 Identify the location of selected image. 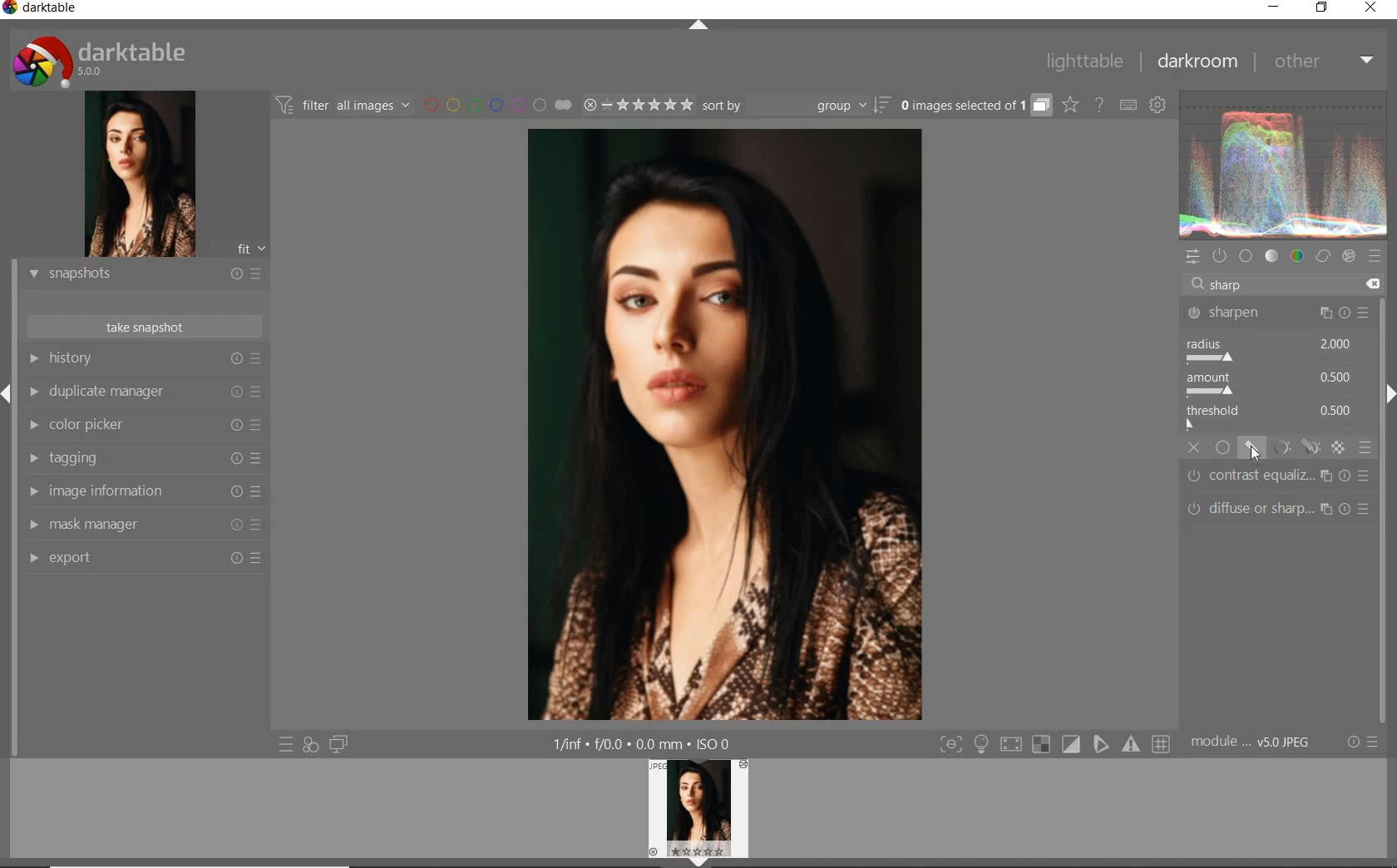
(725, 426).